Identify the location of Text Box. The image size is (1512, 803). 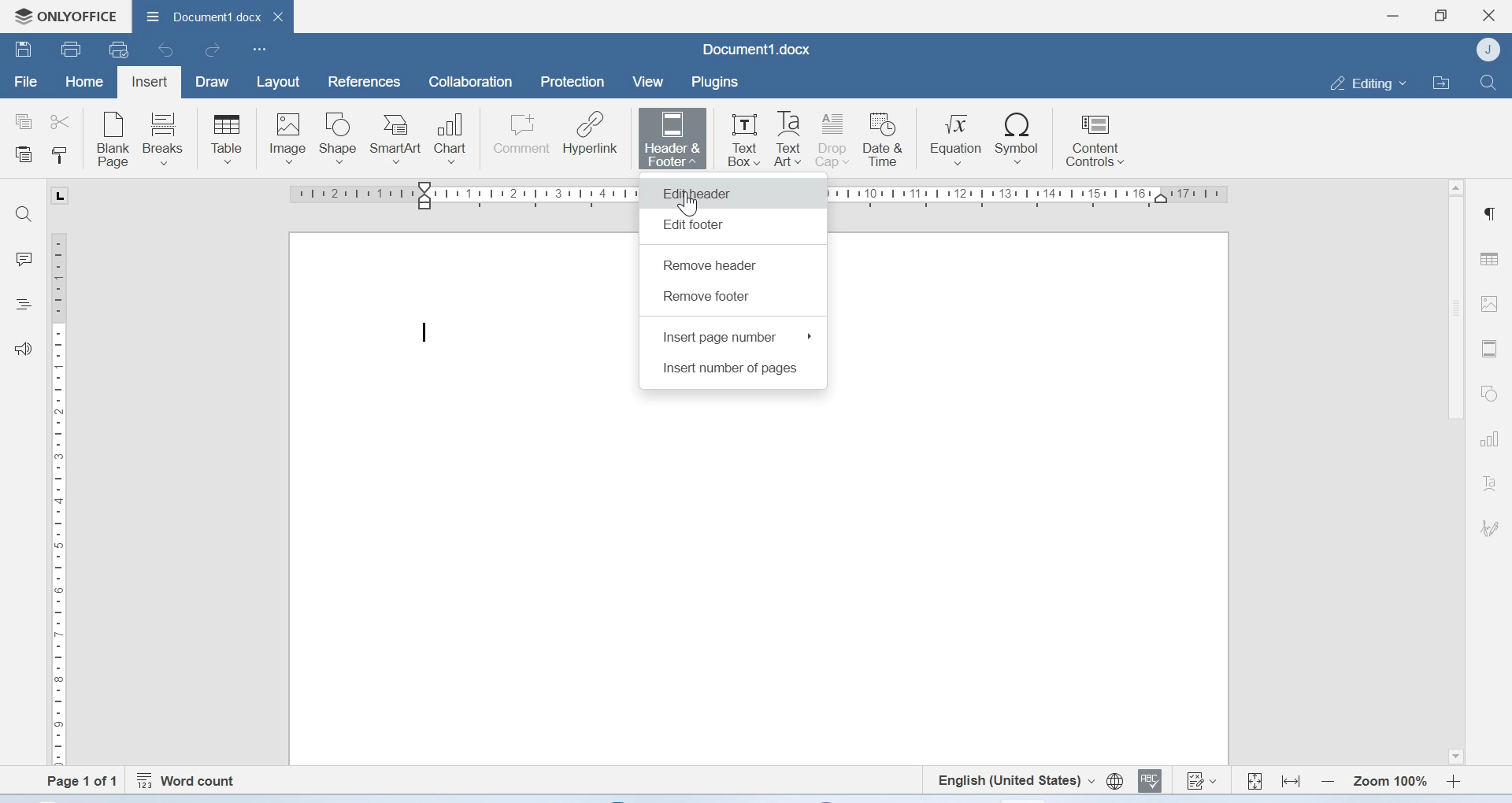
(738, 135).